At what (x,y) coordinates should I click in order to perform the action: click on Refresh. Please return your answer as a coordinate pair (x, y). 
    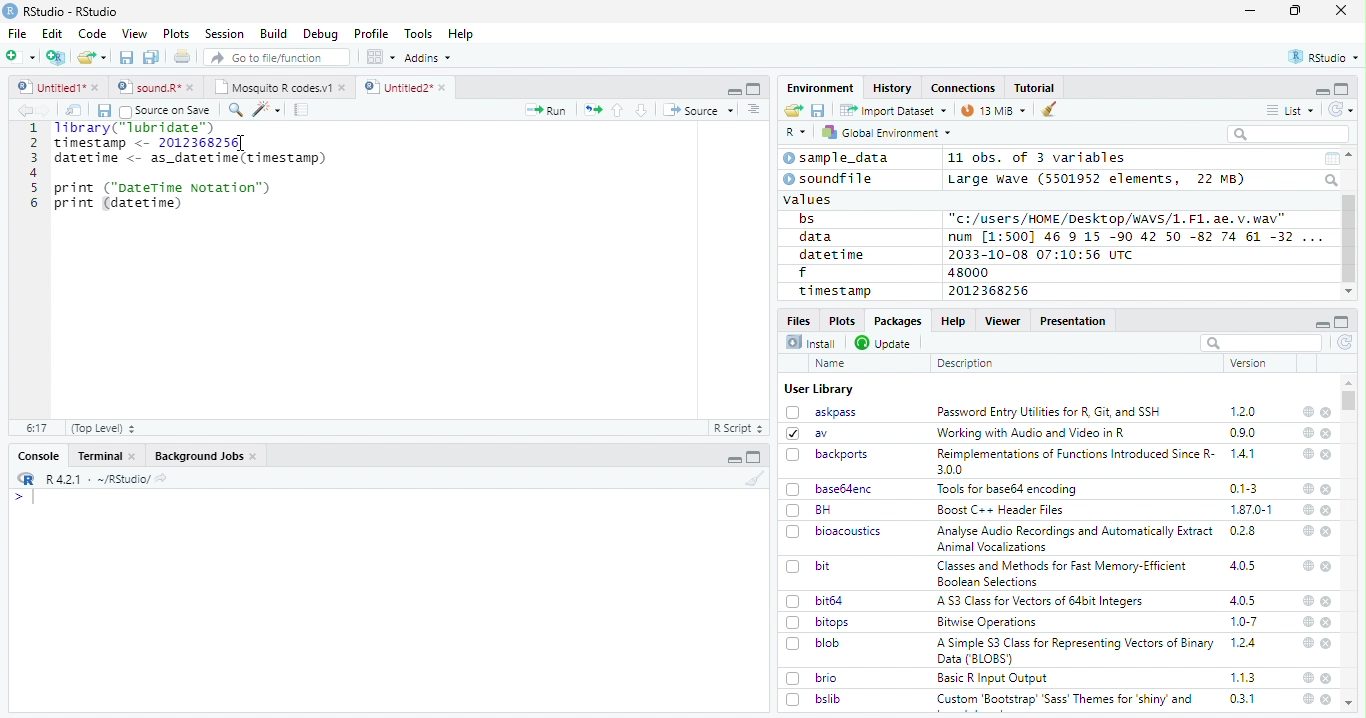
    Looking at the image, I should click on (1346, 344).